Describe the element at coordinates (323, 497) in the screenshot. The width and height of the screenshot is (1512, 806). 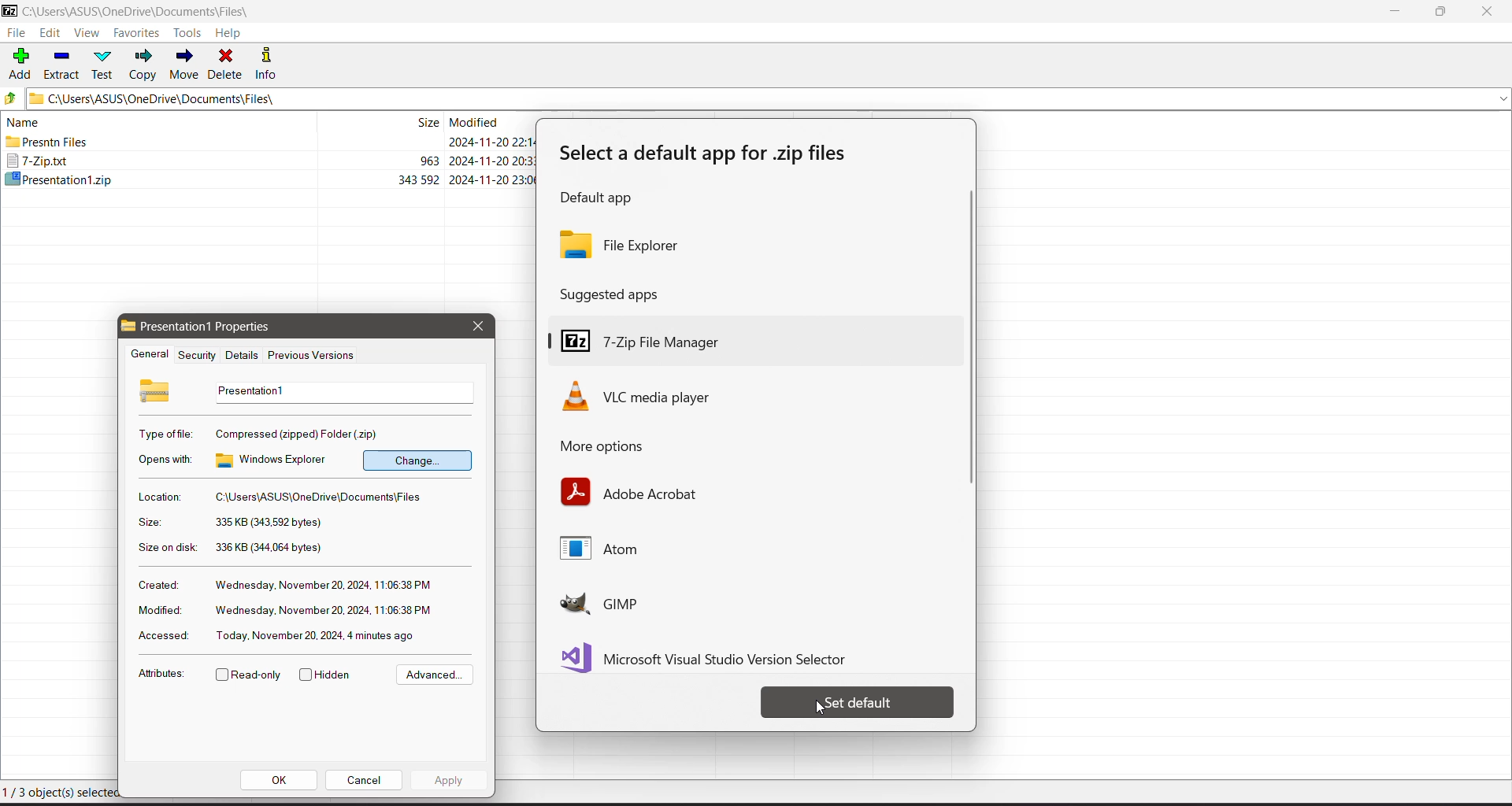
I see `Location of the selected file` at that location.